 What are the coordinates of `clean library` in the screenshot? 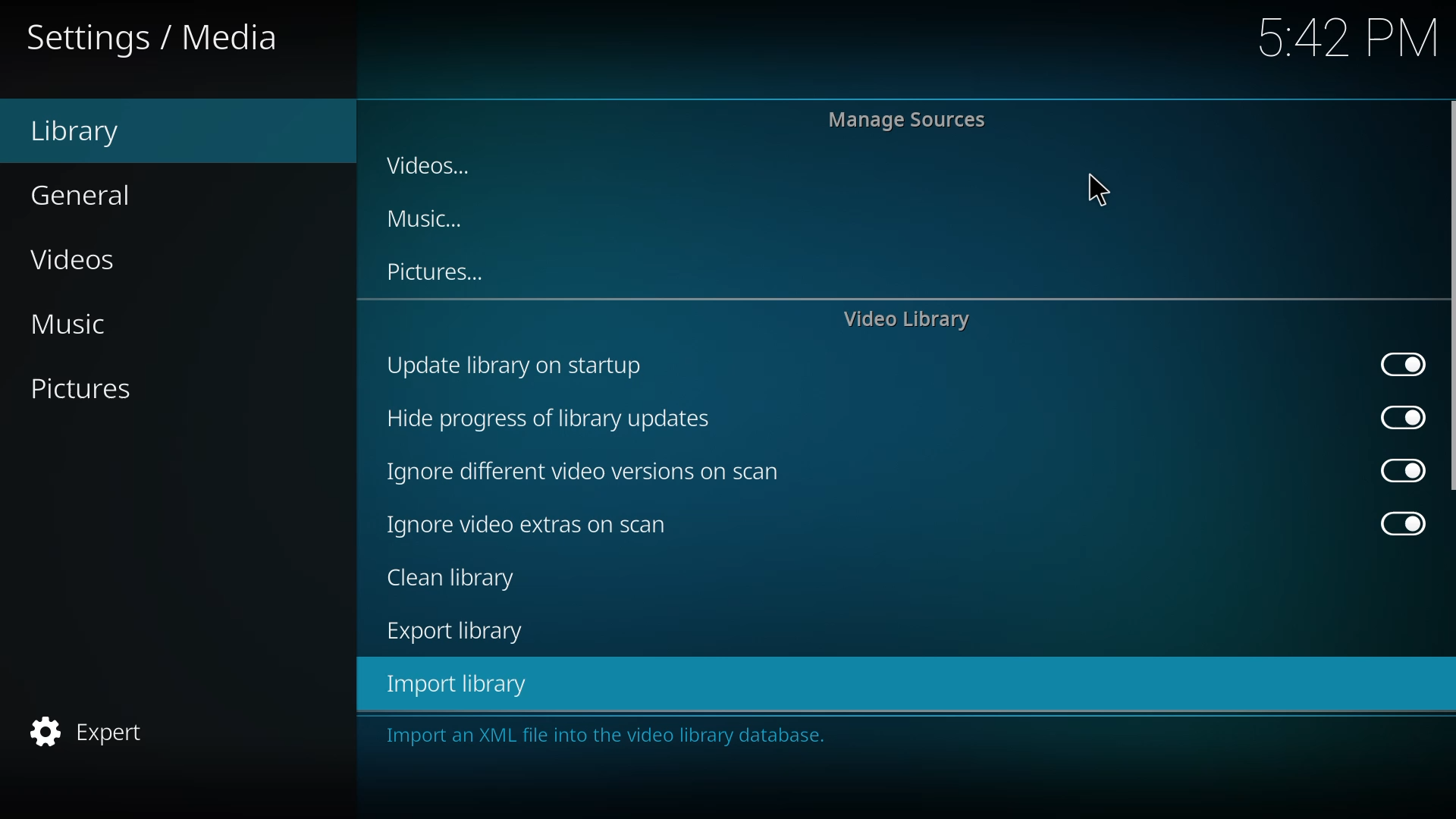 It's located at (447, 579).